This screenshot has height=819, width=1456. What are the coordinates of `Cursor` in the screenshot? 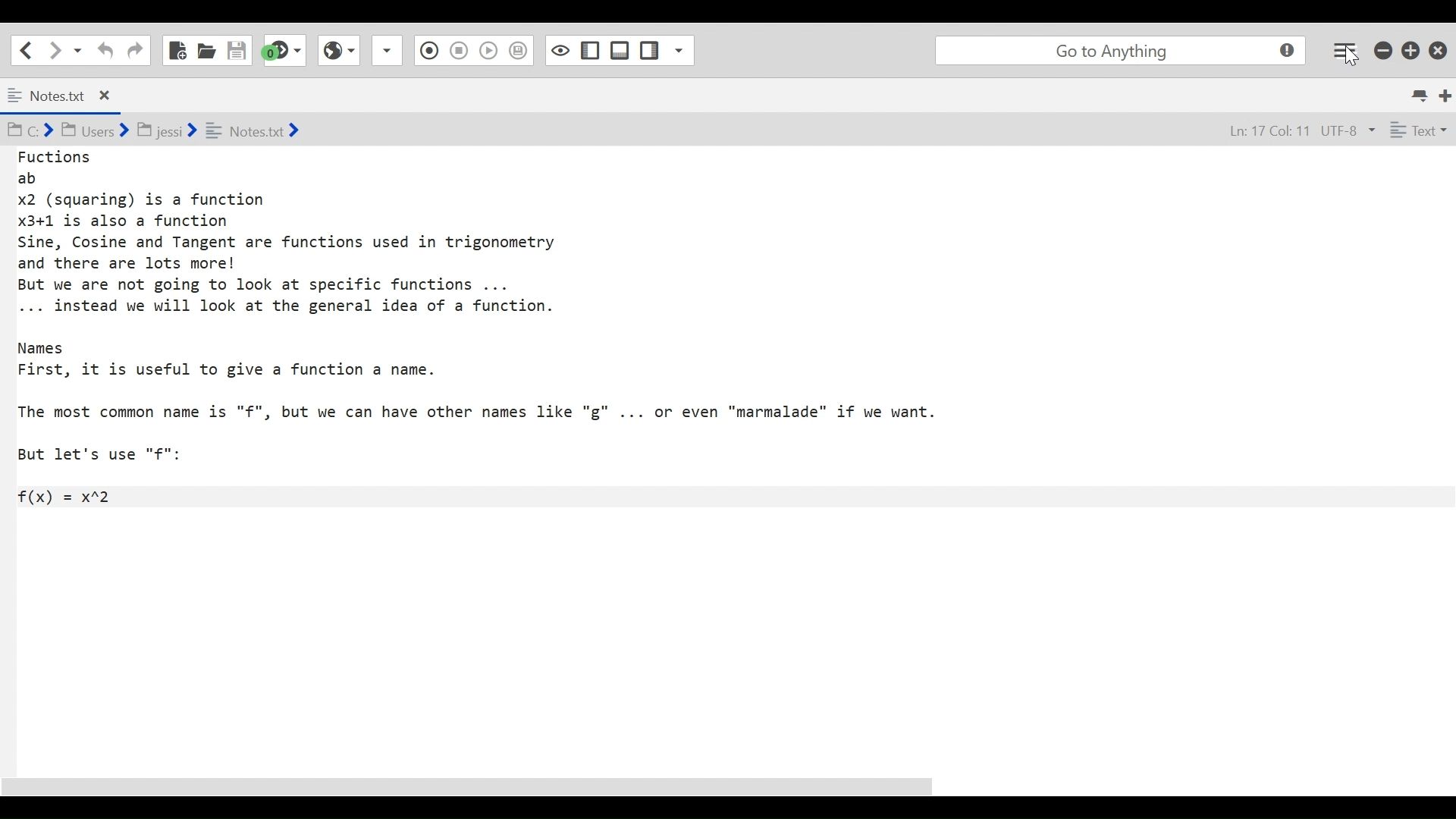 It's located at (1351, 58).